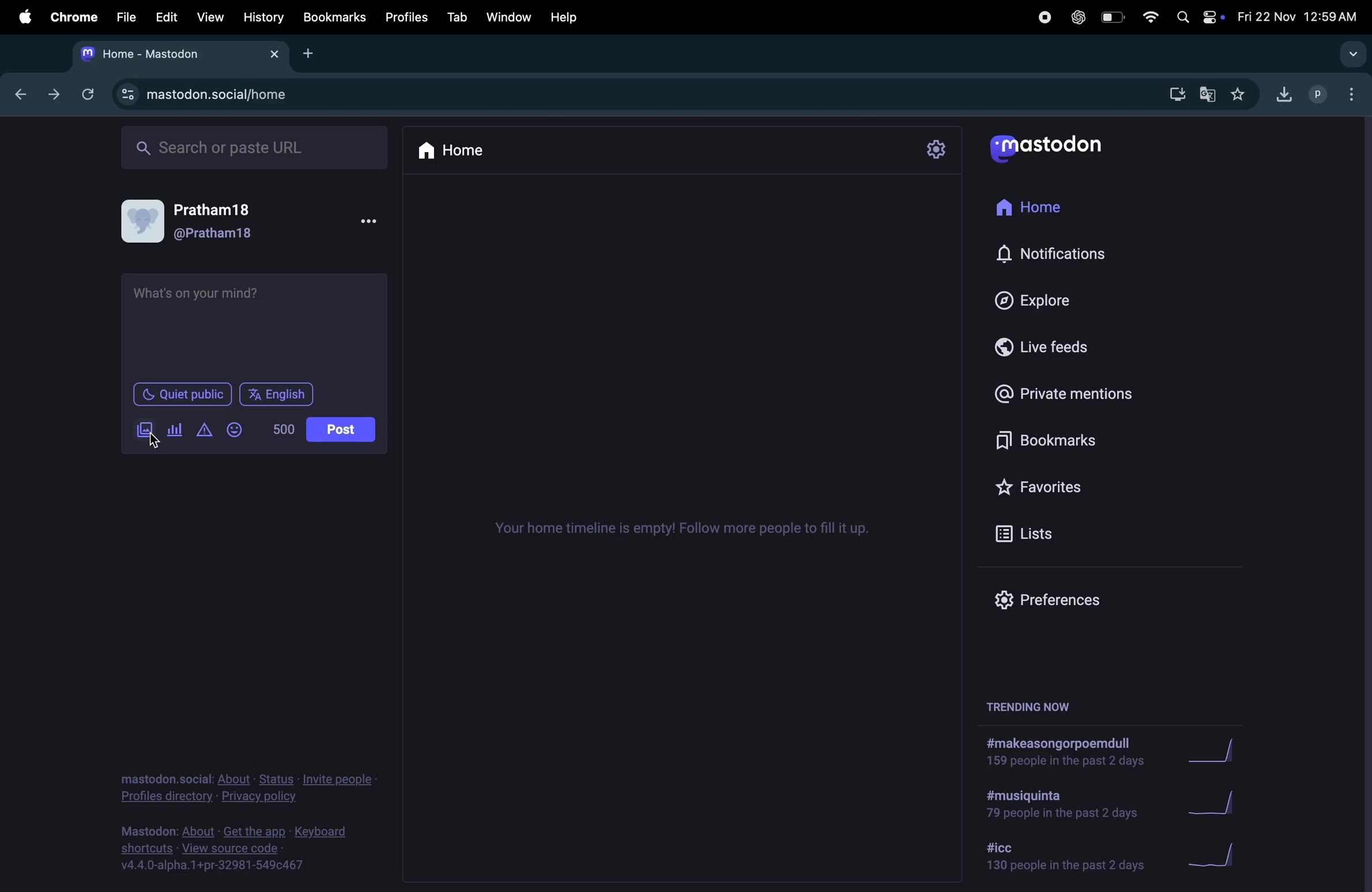 Image resolution: width=1372 pixels, height=892 pixels. Describe the element at coordinates (258, 325) in the screenshot. I see `text box` at that location.